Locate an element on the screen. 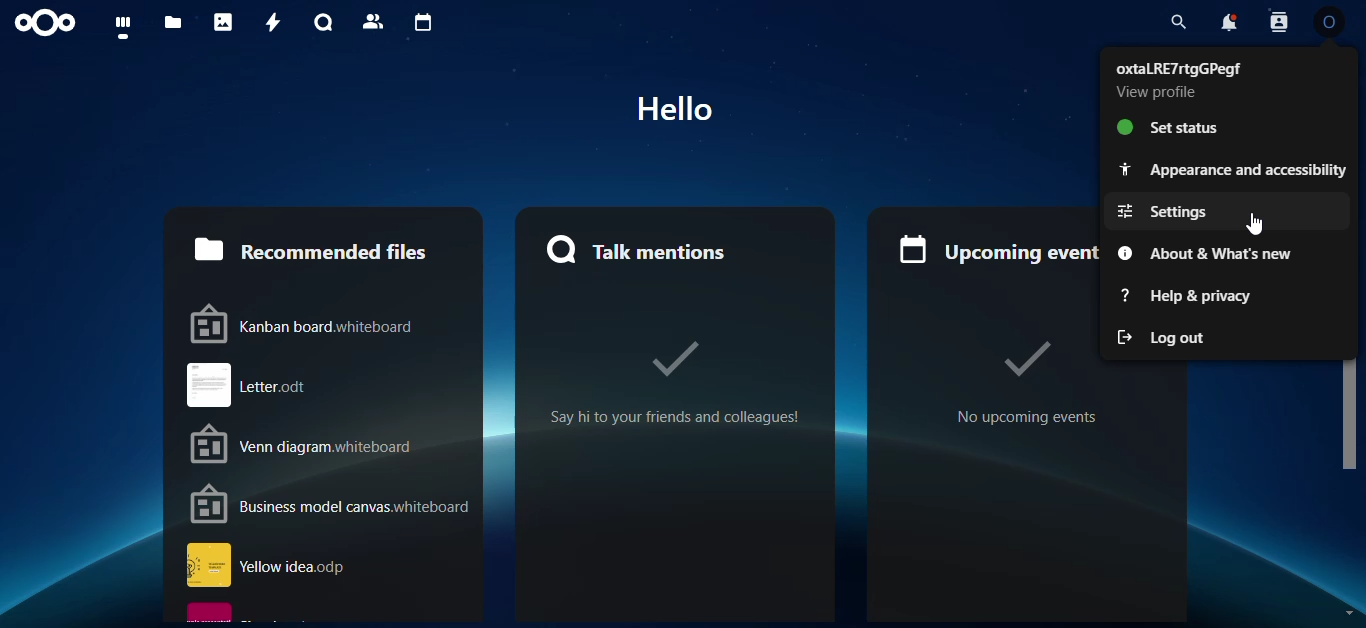 This screenshot has width=1366, height=628. dashboard is located at coordinates (117, 26).